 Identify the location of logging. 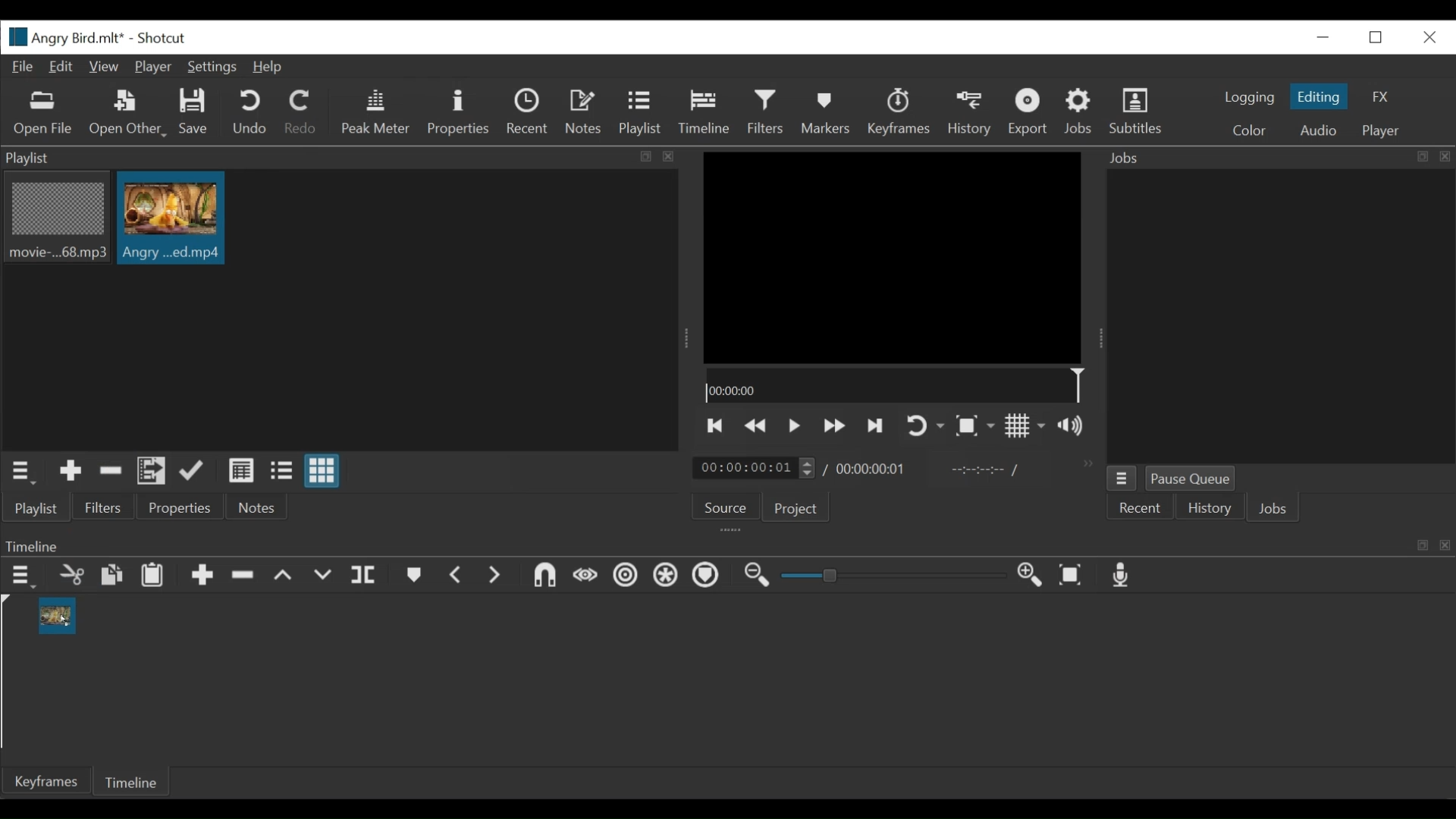
(1245, 98).